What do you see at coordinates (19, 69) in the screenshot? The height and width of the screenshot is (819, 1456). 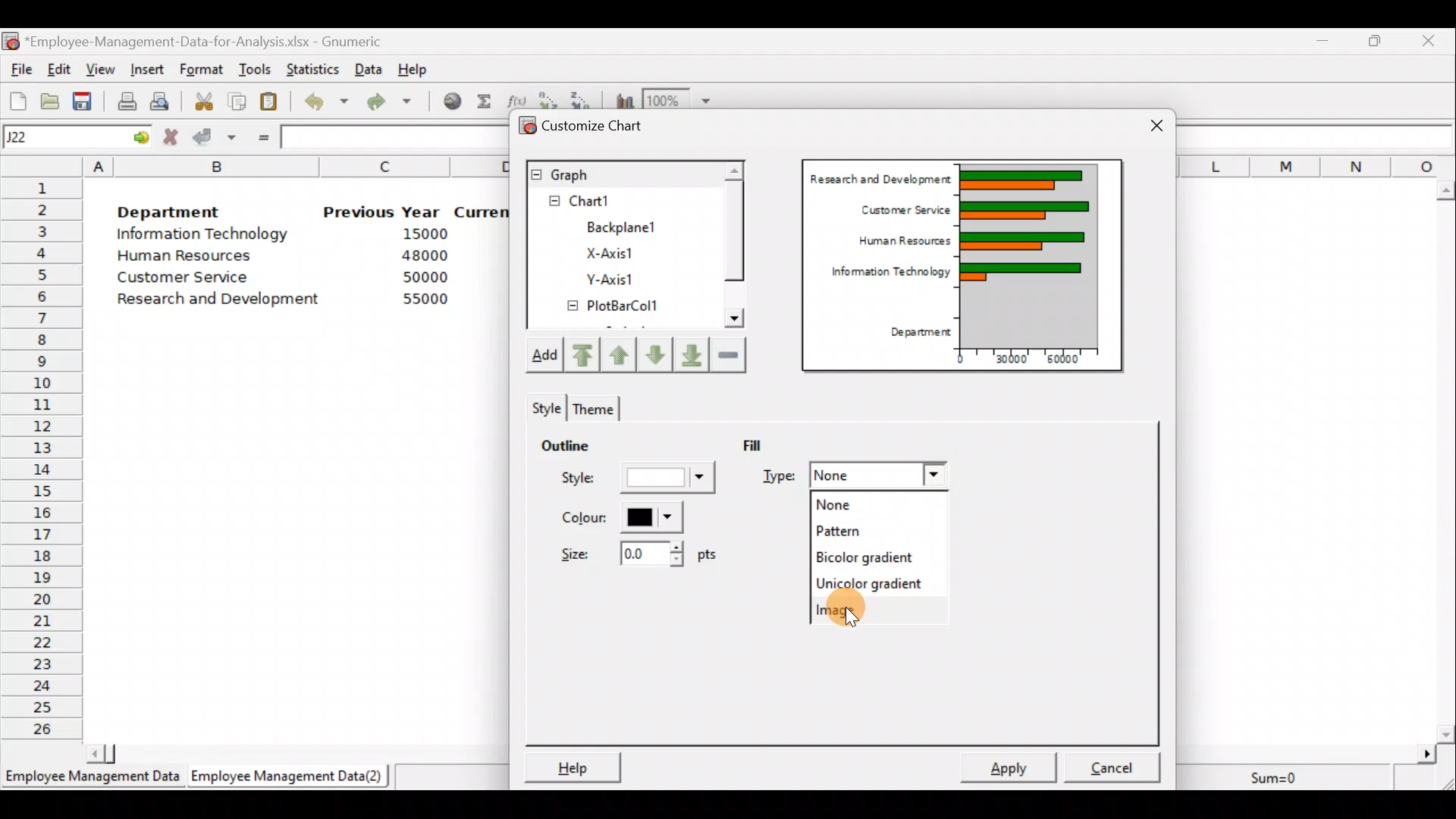 I see `File` at bounding box center [19, 69].